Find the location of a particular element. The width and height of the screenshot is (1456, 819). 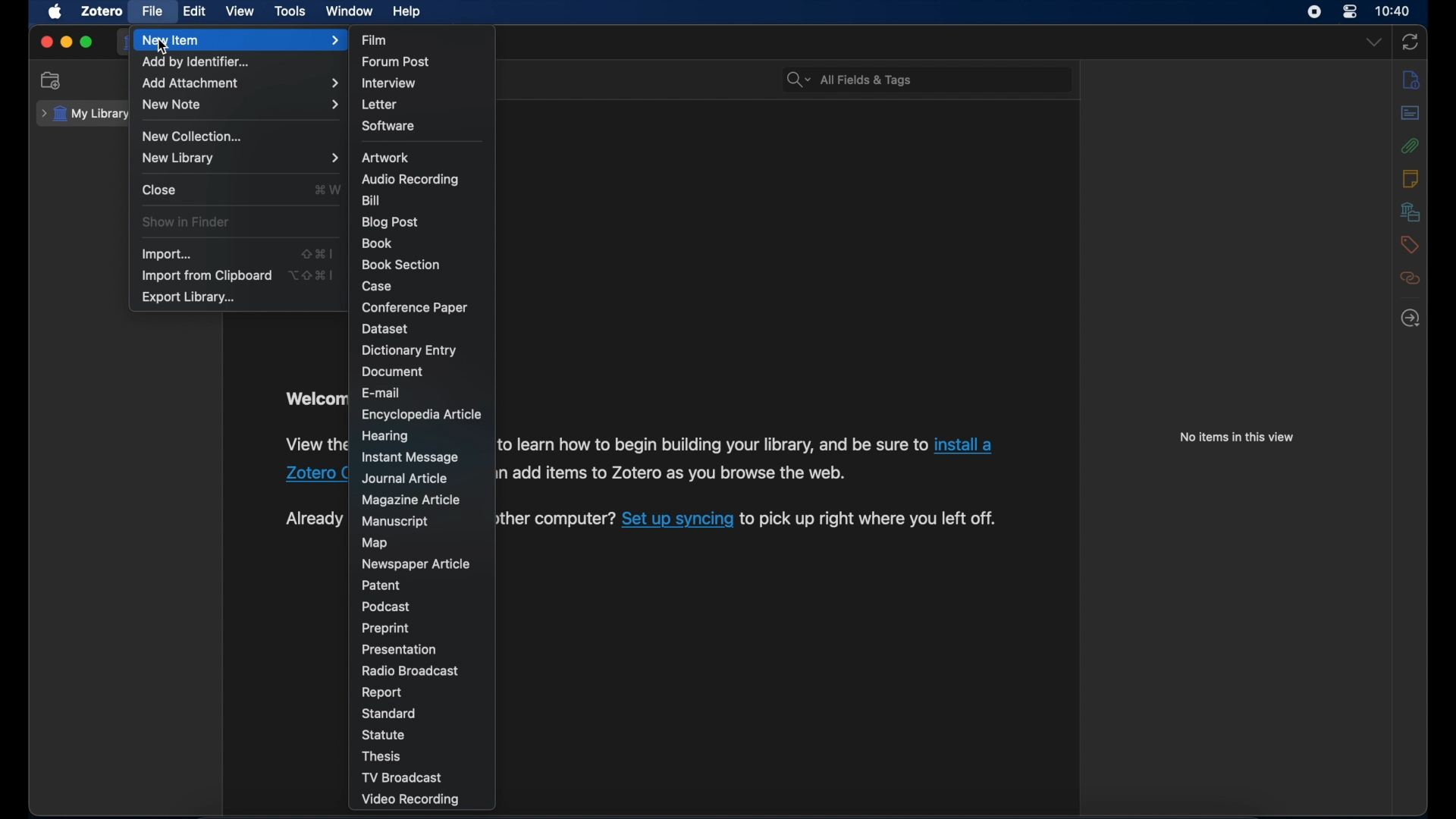

shortcut is located at coordinates (312, 274).